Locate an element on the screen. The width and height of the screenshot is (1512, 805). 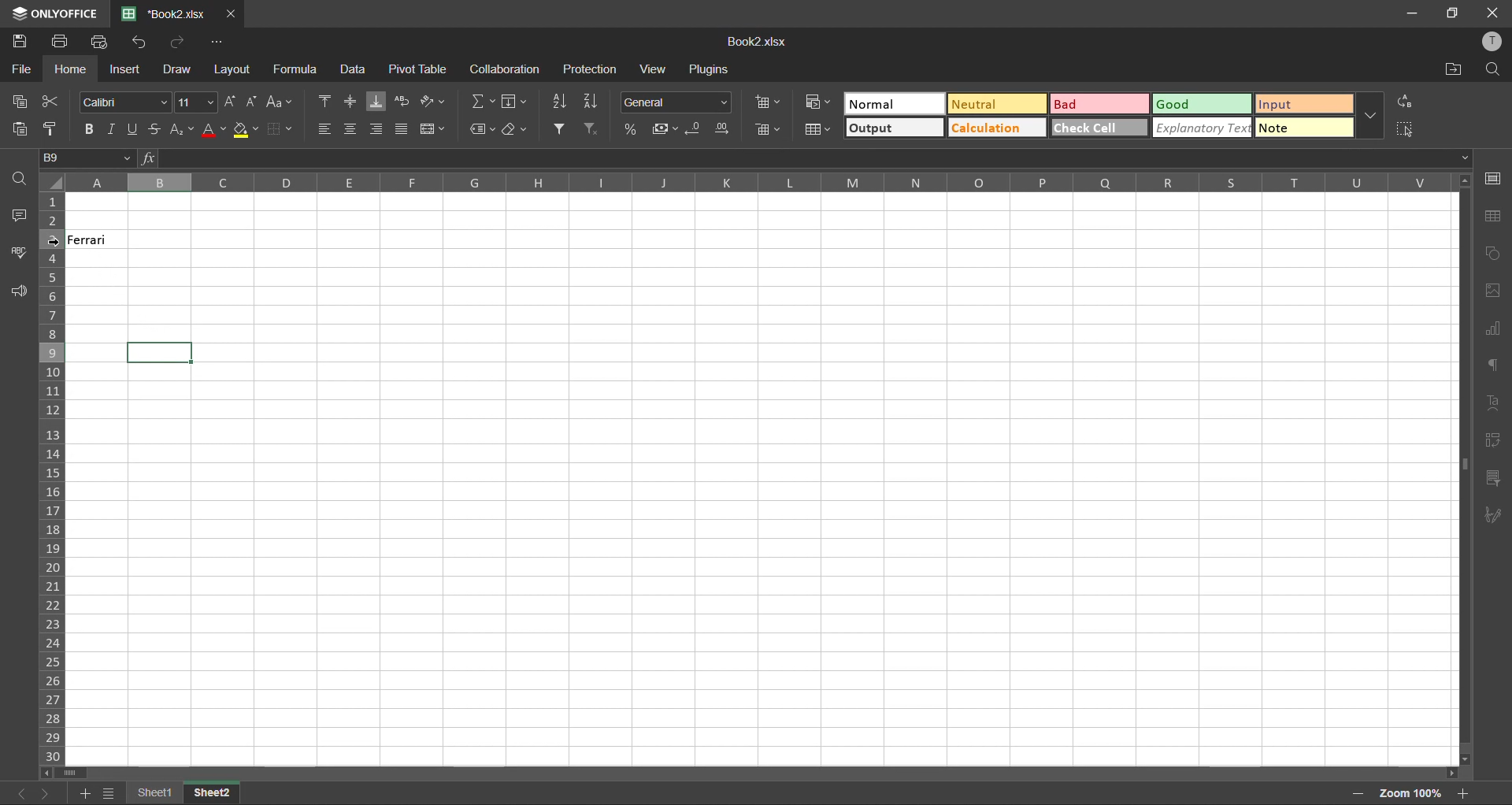
previous is located at coordinates (18, 792).